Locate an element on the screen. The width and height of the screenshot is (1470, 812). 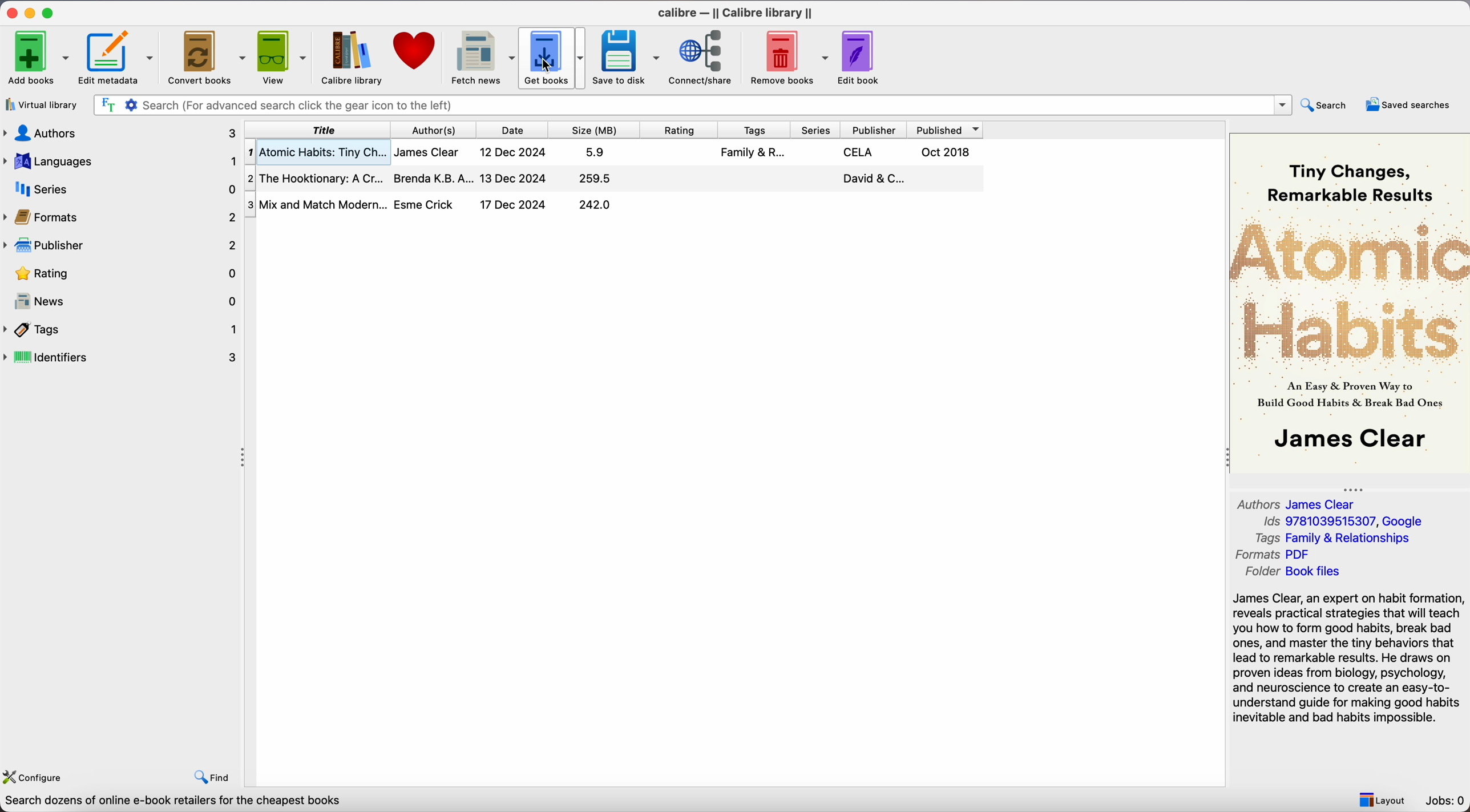
search is located at coordinates (1324, 105).